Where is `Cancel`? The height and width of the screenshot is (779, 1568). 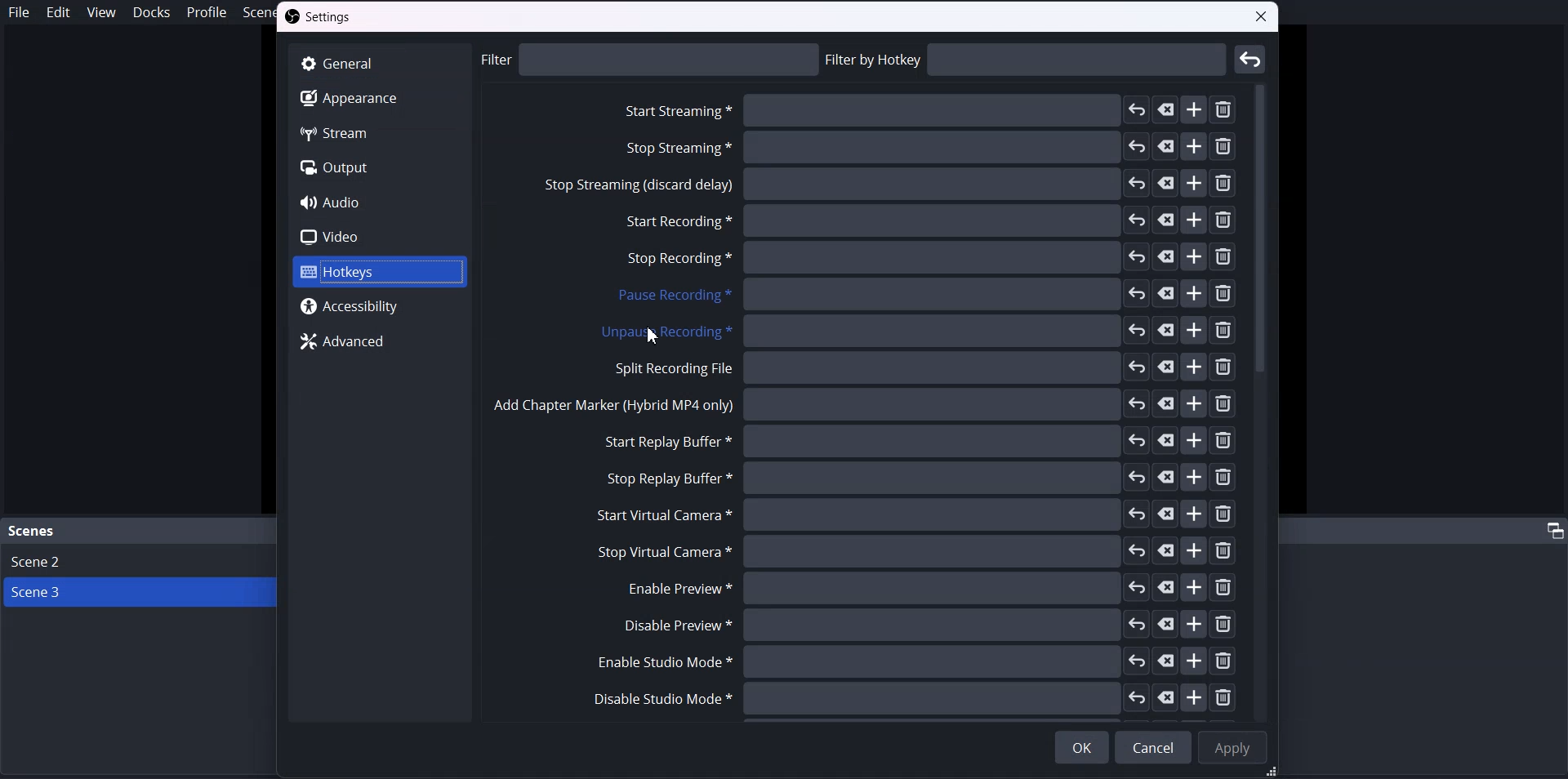 Cancel is located at coordinates (1153, 747).